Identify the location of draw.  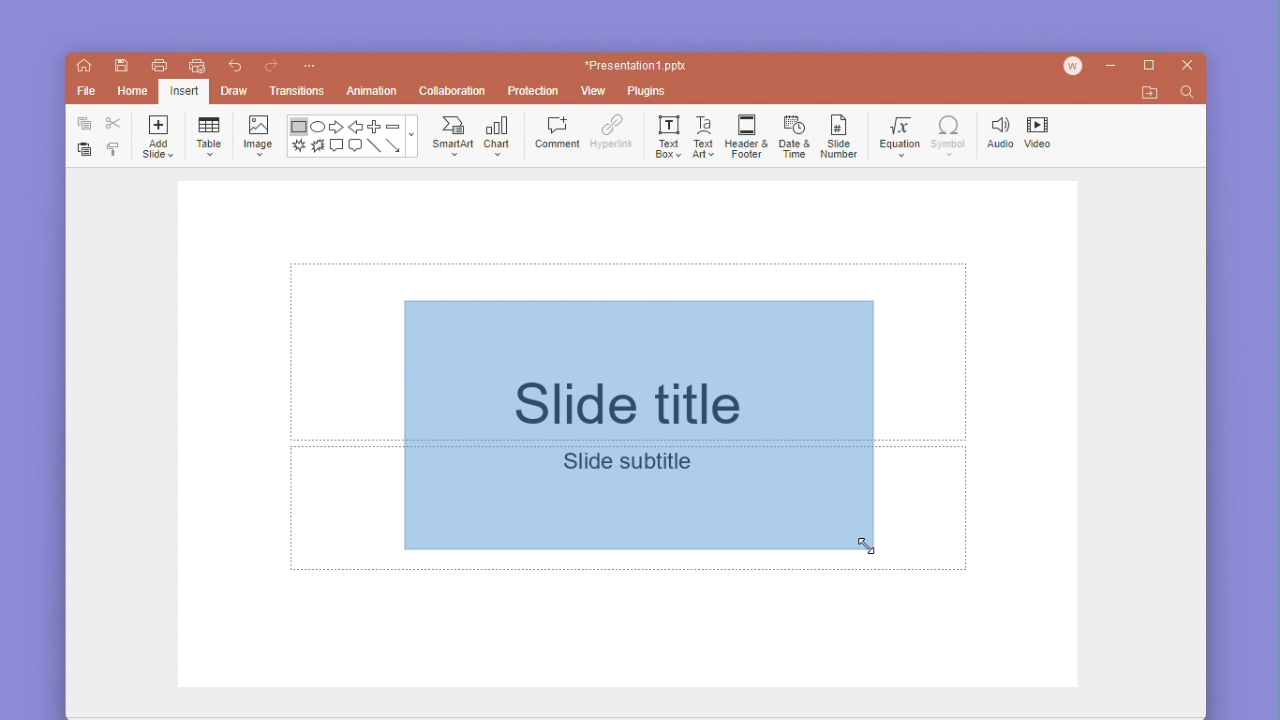
(235, 89).